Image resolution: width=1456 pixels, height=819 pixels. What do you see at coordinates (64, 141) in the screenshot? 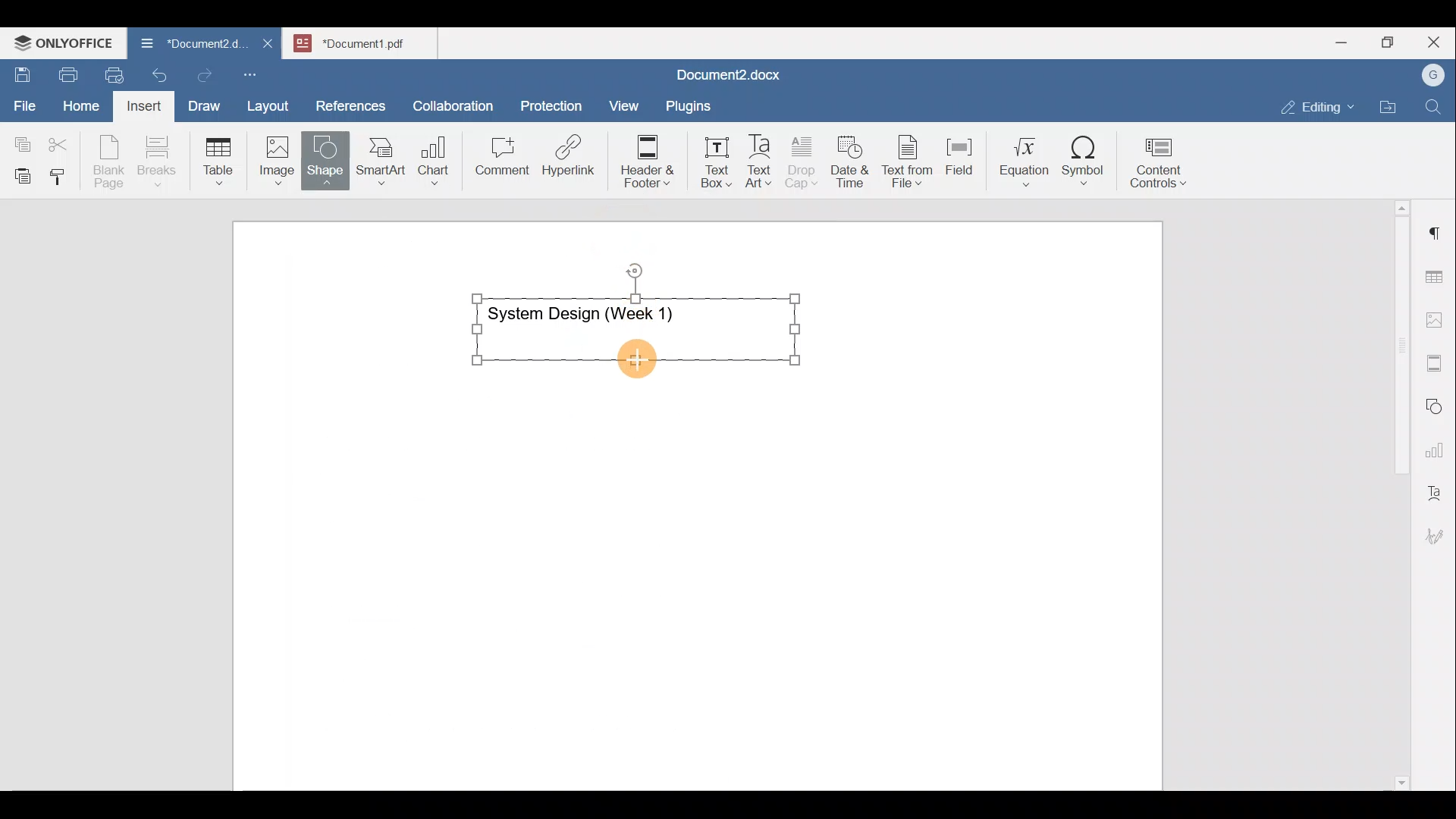
I see `Cut` at bounding box center [64, 141].